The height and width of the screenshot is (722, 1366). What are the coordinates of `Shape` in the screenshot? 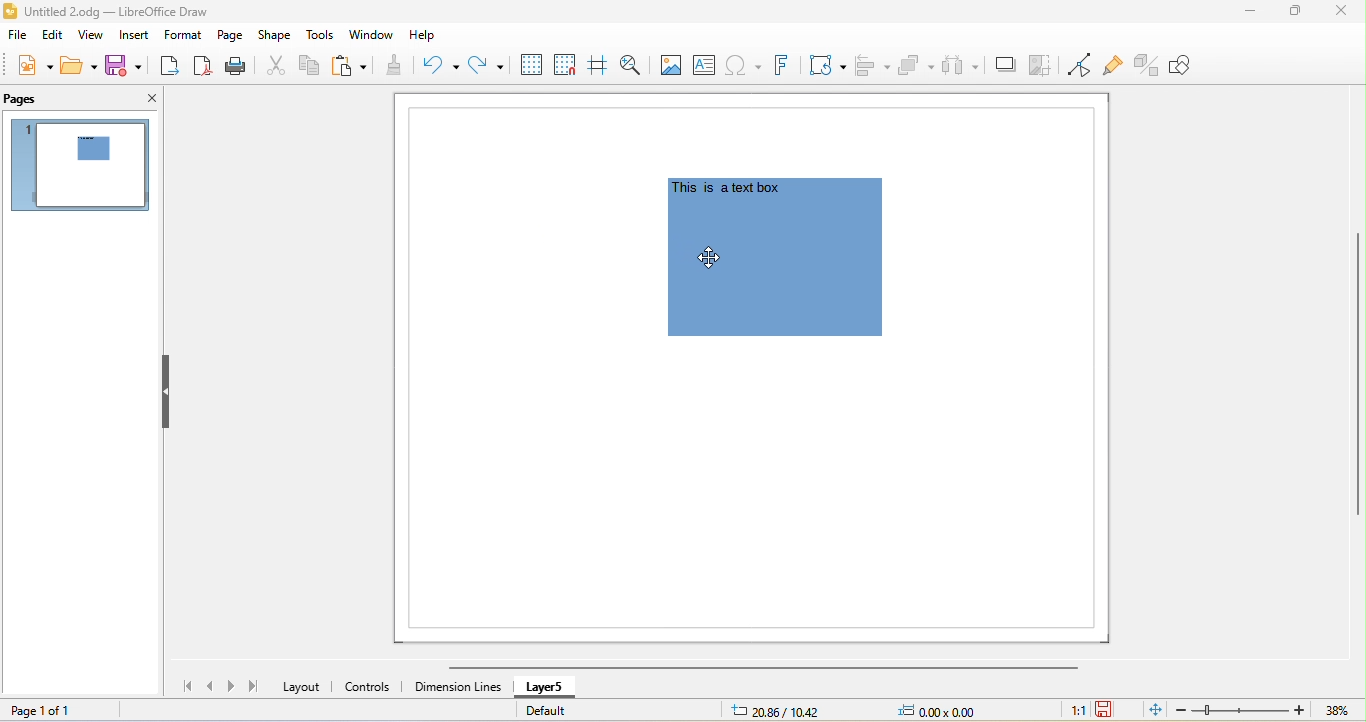 It's located at (774, 311).